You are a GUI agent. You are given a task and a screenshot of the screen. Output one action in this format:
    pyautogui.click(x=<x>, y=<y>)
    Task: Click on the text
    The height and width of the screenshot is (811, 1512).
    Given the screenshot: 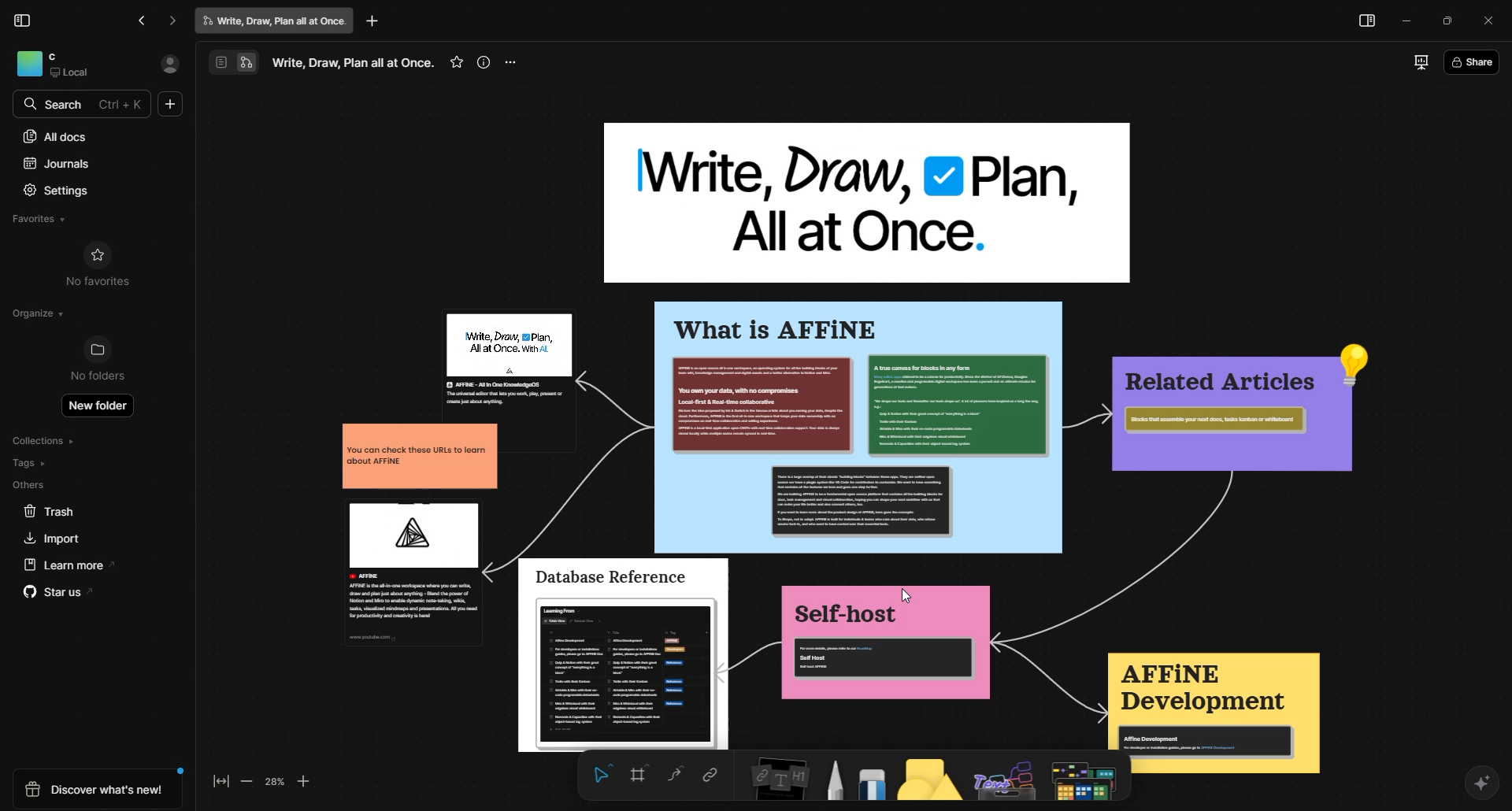 What is the action you would take?
    pyautogui.click(x=354, y=60)
    